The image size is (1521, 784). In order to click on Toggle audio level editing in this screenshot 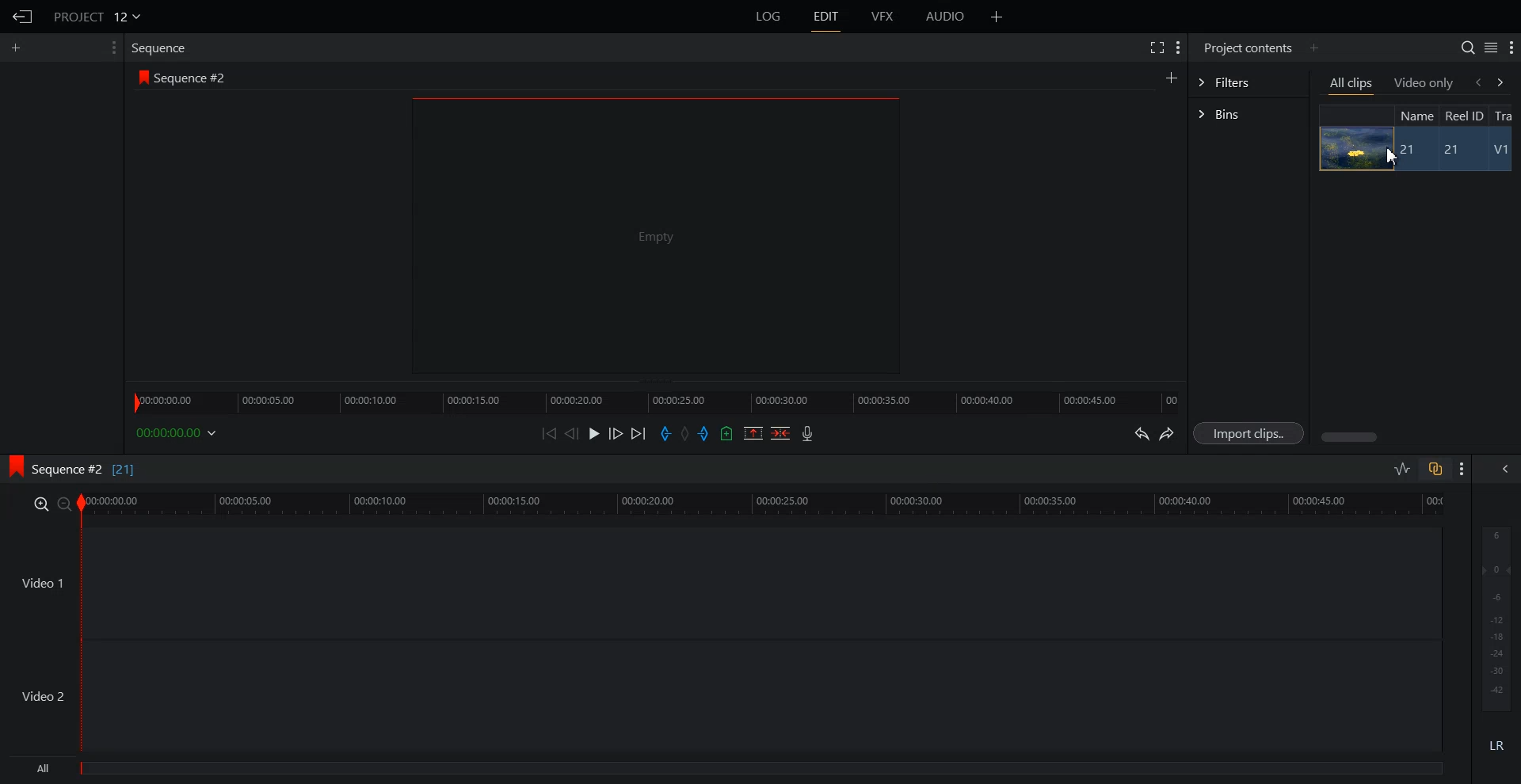, I will do `click(1402, 468)`.